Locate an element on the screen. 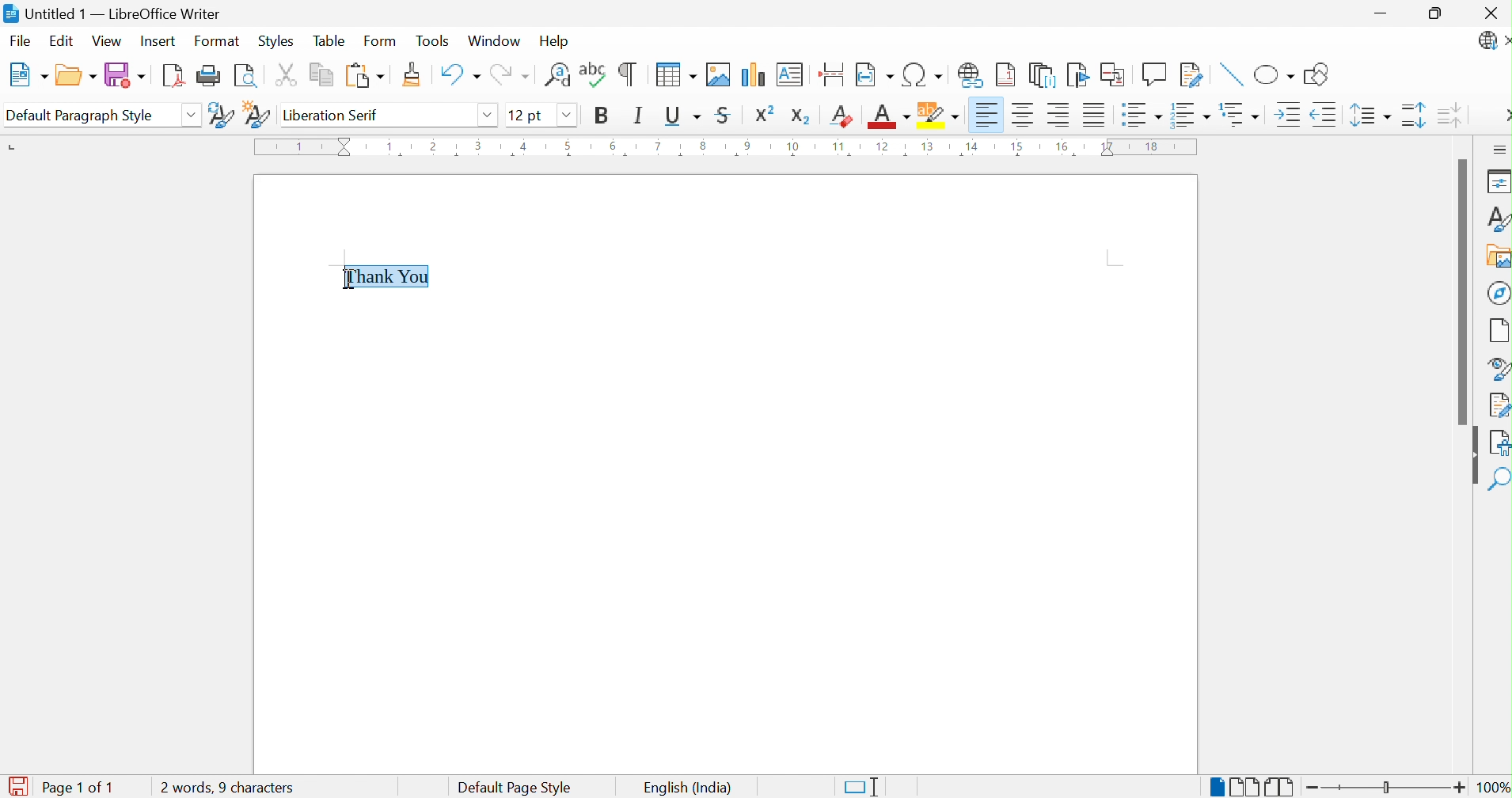 The height and width of the screenshot is (798, 1512). Check Spelling is located at coordinates (593, 78).